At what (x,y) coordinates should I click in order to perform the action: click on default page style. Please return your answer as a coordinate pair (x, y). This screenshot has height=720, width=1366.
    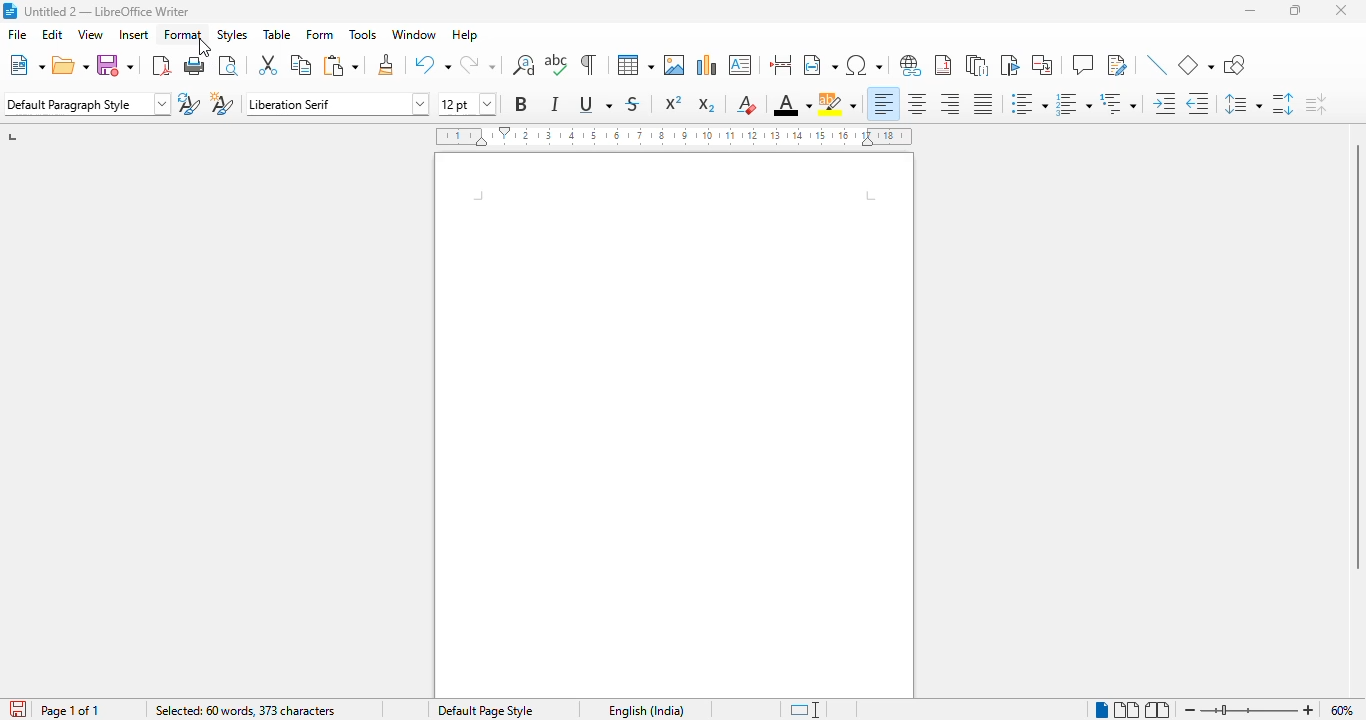
    Looking at the image, I should click on (486, 710).